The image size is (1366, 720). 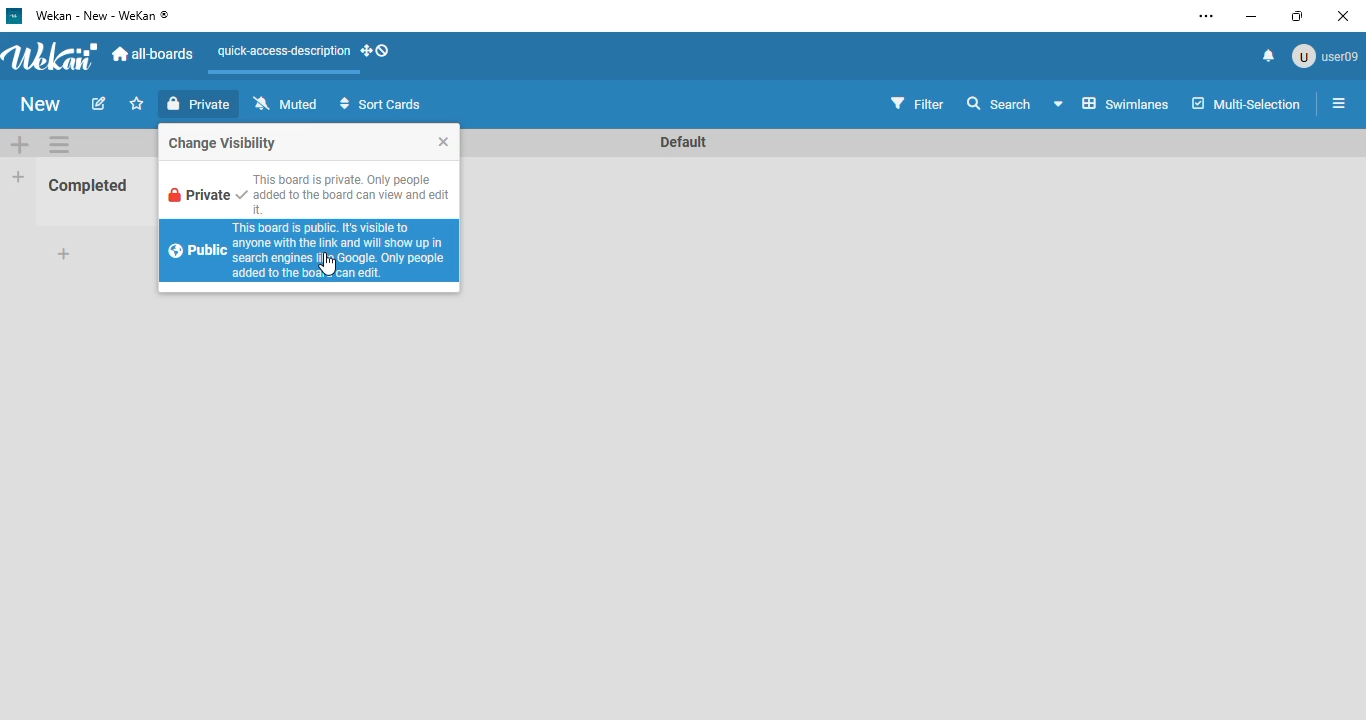 What do you see at coordinates (1343, 17) in the screenshot?
I see `close` at bounding box center [1343, 17].